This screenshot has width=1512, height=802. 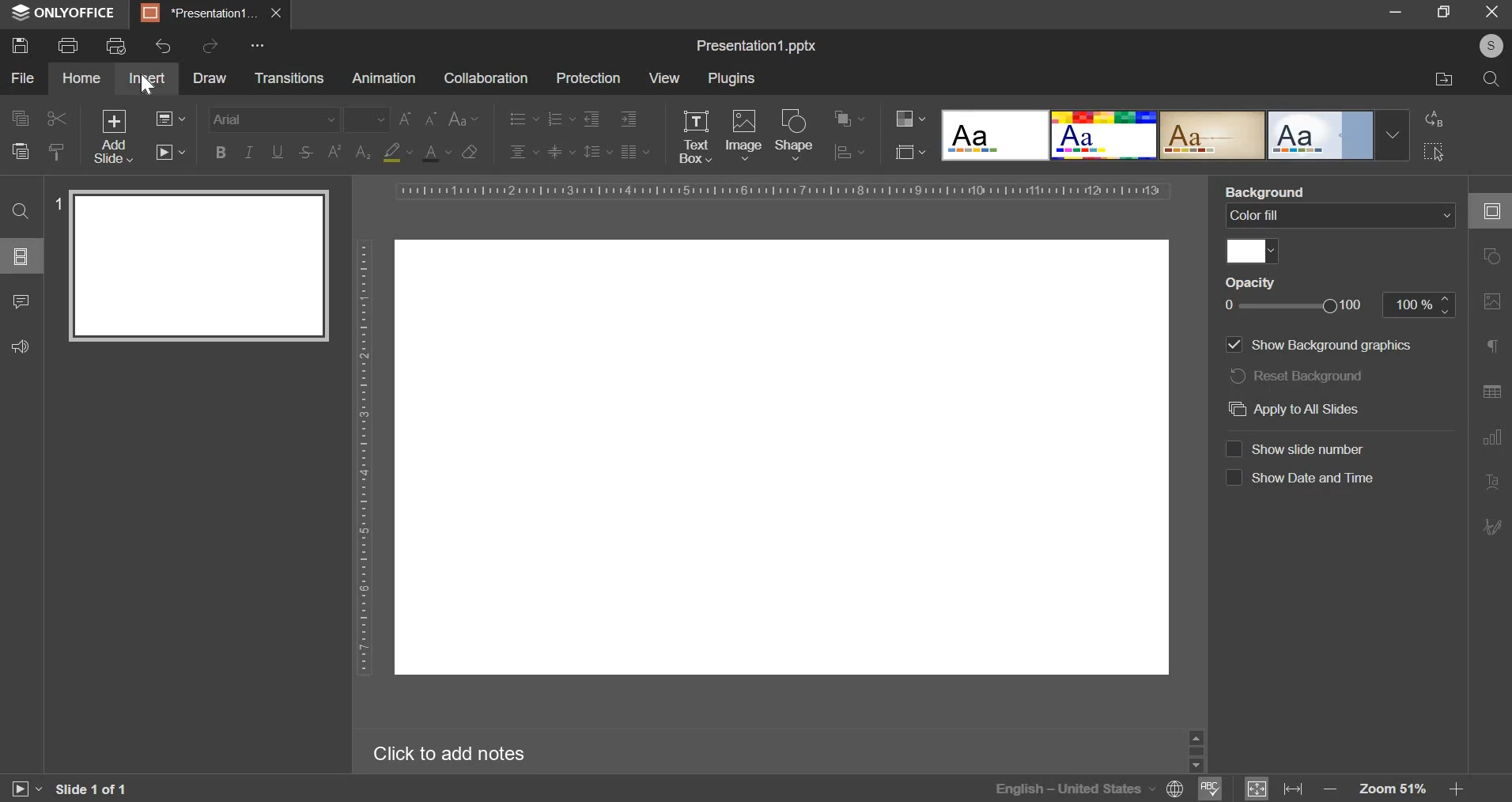 What do you see at coordinates (1489, 394) in the screenshot?
I see `table settings` at bounding box center [1489, 394].